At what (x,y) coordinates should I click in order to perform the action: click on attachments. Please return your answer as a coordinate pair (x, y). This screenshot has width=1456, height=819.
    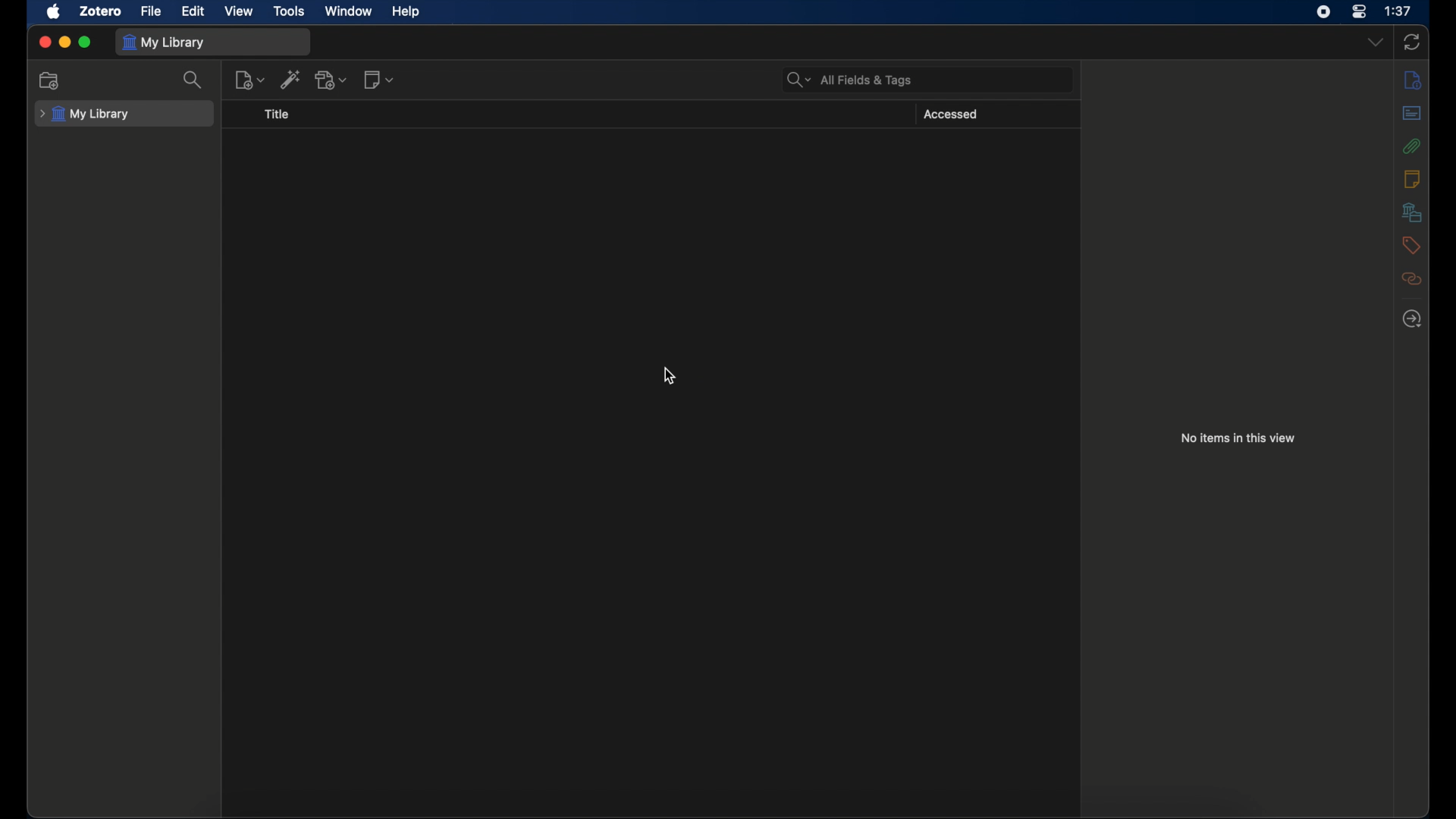
    Looking at the image, I should click on (1411, 146).